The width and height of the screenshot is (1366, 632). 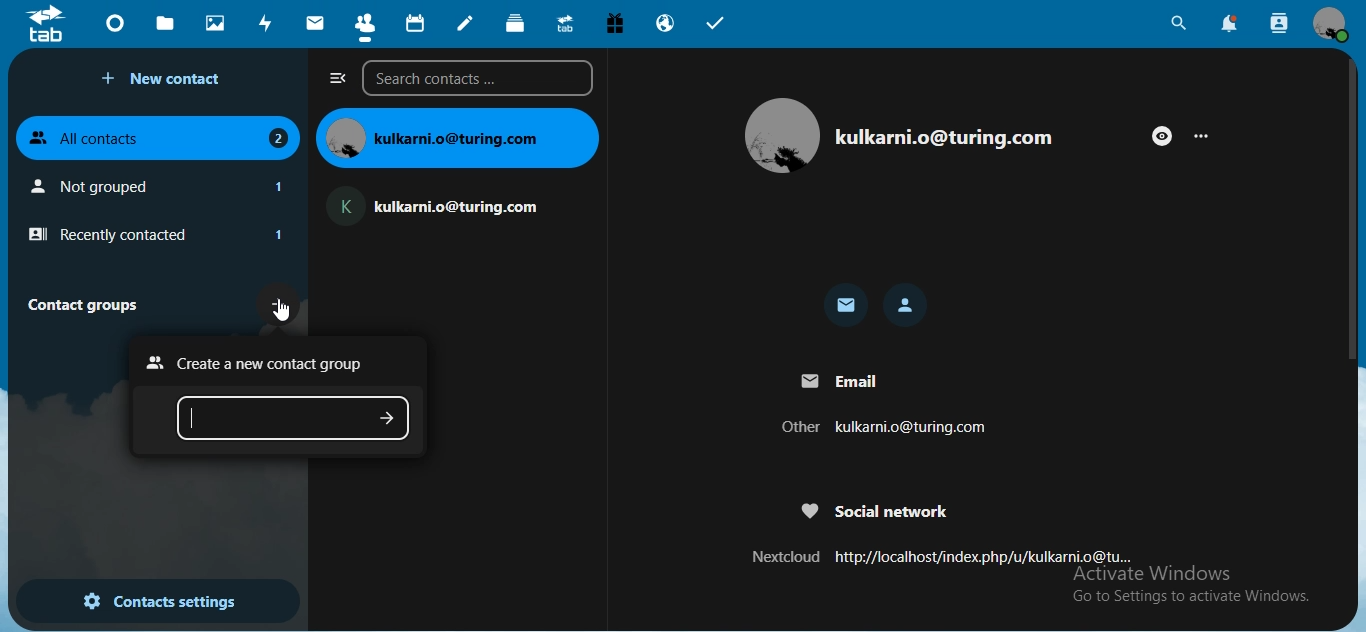 What do you see at coordinates (280, 302) in the screenshot?
I see `add` at bounding box center [280, 302].